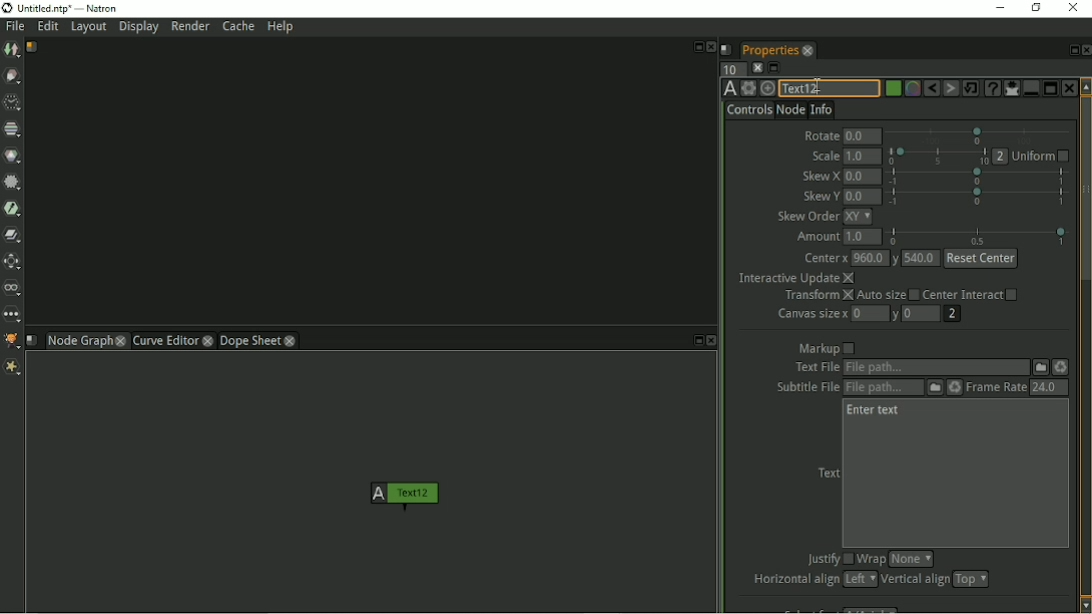 This screenshot has width=1092, height=614. I want to click on Extra, so click(15, 369).